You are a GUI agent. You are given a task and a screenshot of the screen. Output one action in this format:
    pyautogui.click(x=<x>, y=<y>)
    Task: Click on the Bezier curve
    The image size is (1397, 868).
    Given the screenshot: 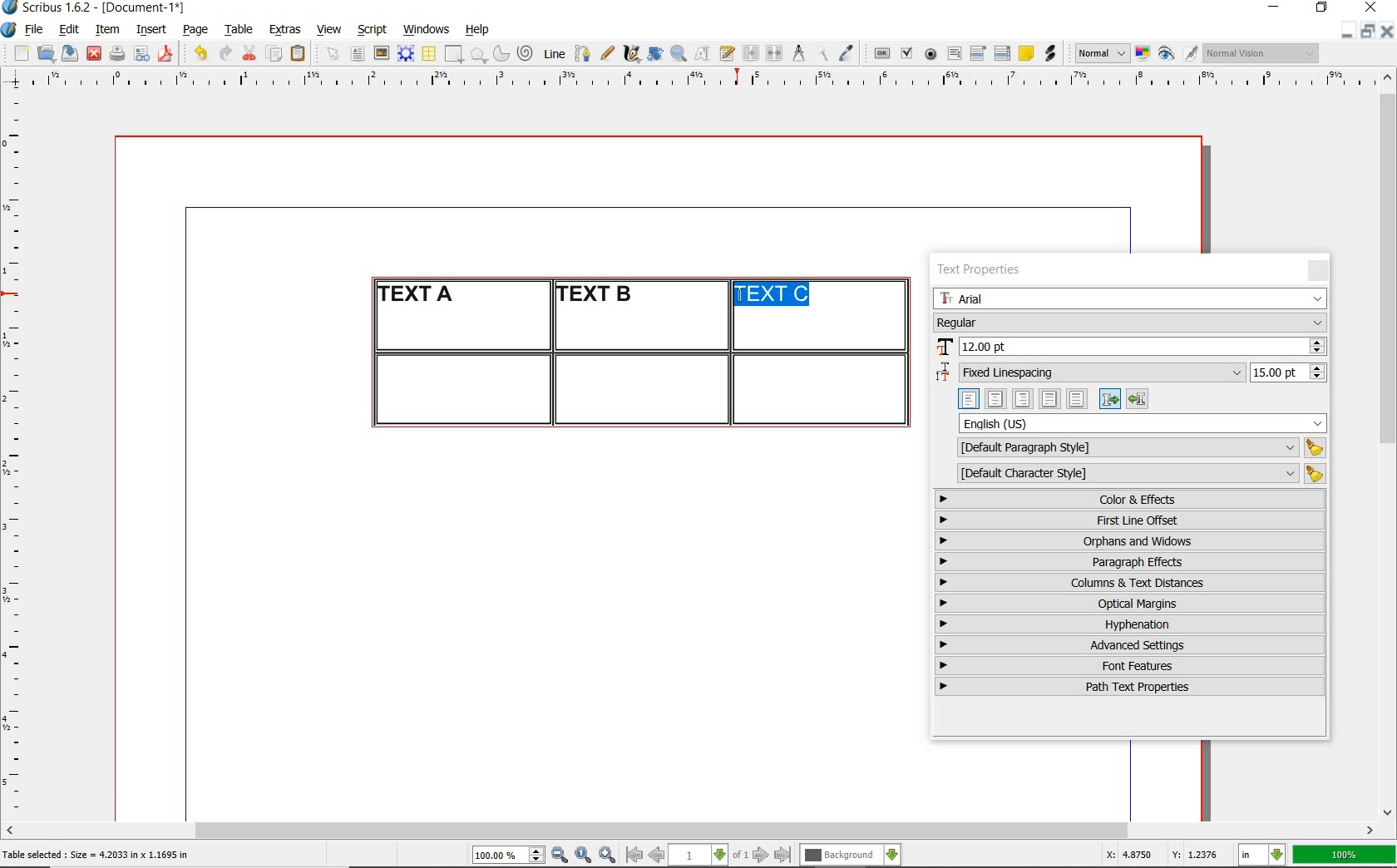 What is the action you would take?
    pyautogui.click(x=581, y=53)
    